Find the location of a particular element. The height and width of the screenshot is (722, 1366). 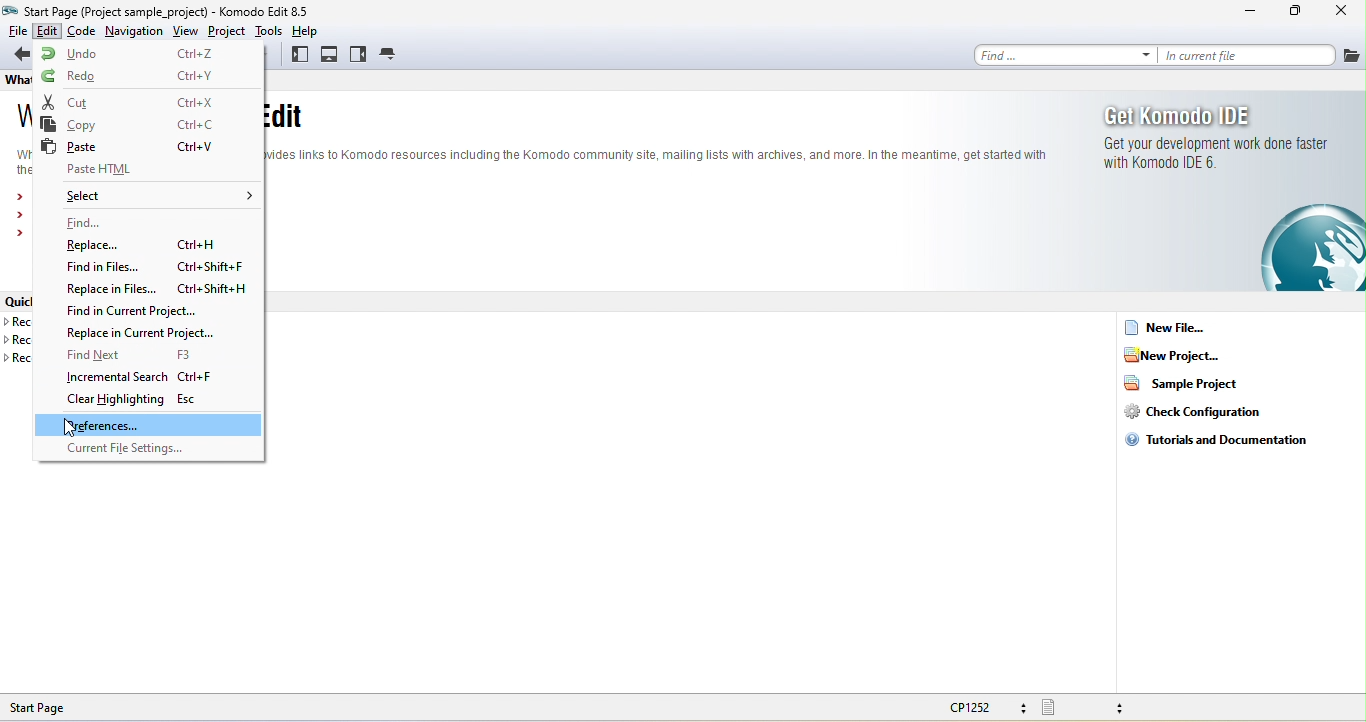

code is located at coordinates (84, 32).